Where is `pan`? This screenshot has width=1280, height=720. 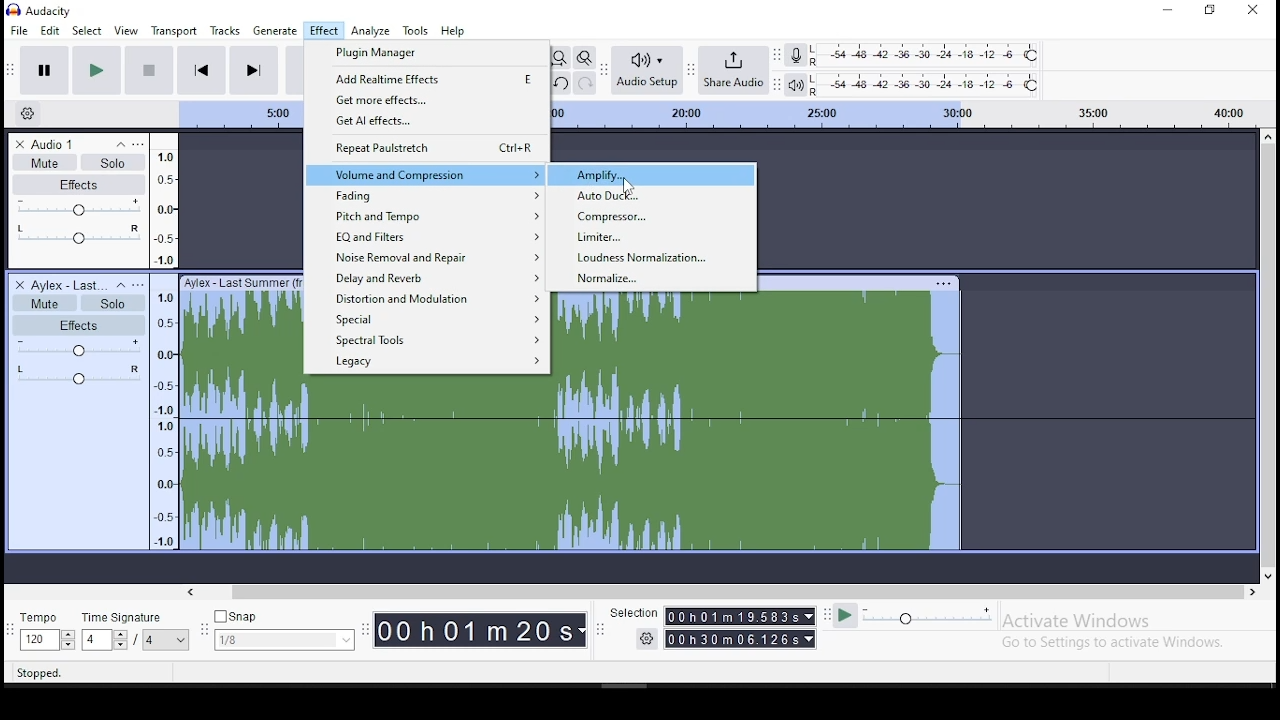 pan is located at coordinates (80, 376).